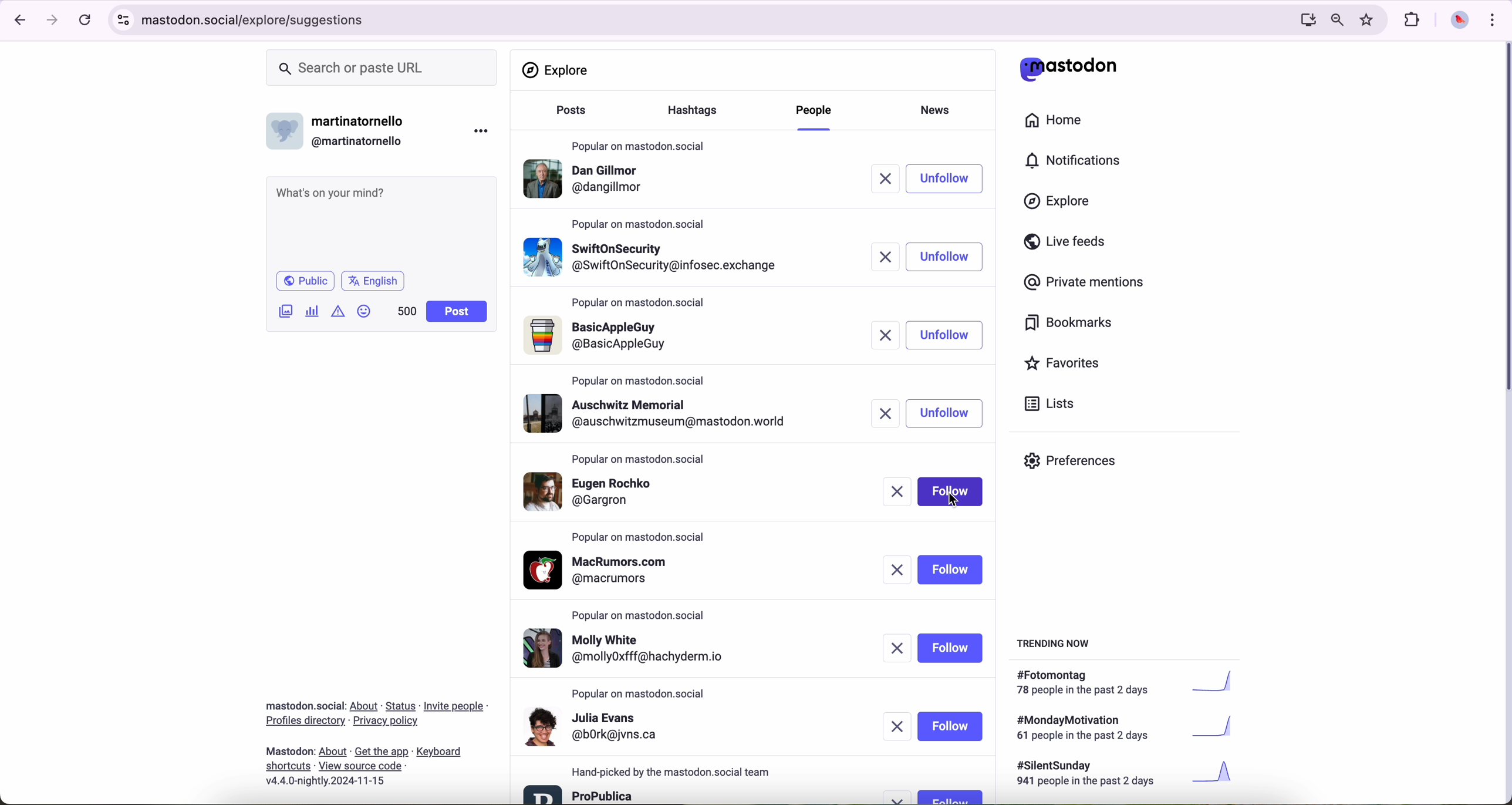 The image size is (1512, 805). What do you see at coordinates (640, 538) in the screenshot?
I see `popular on mastodon.social` at bounding box center [640, 538].